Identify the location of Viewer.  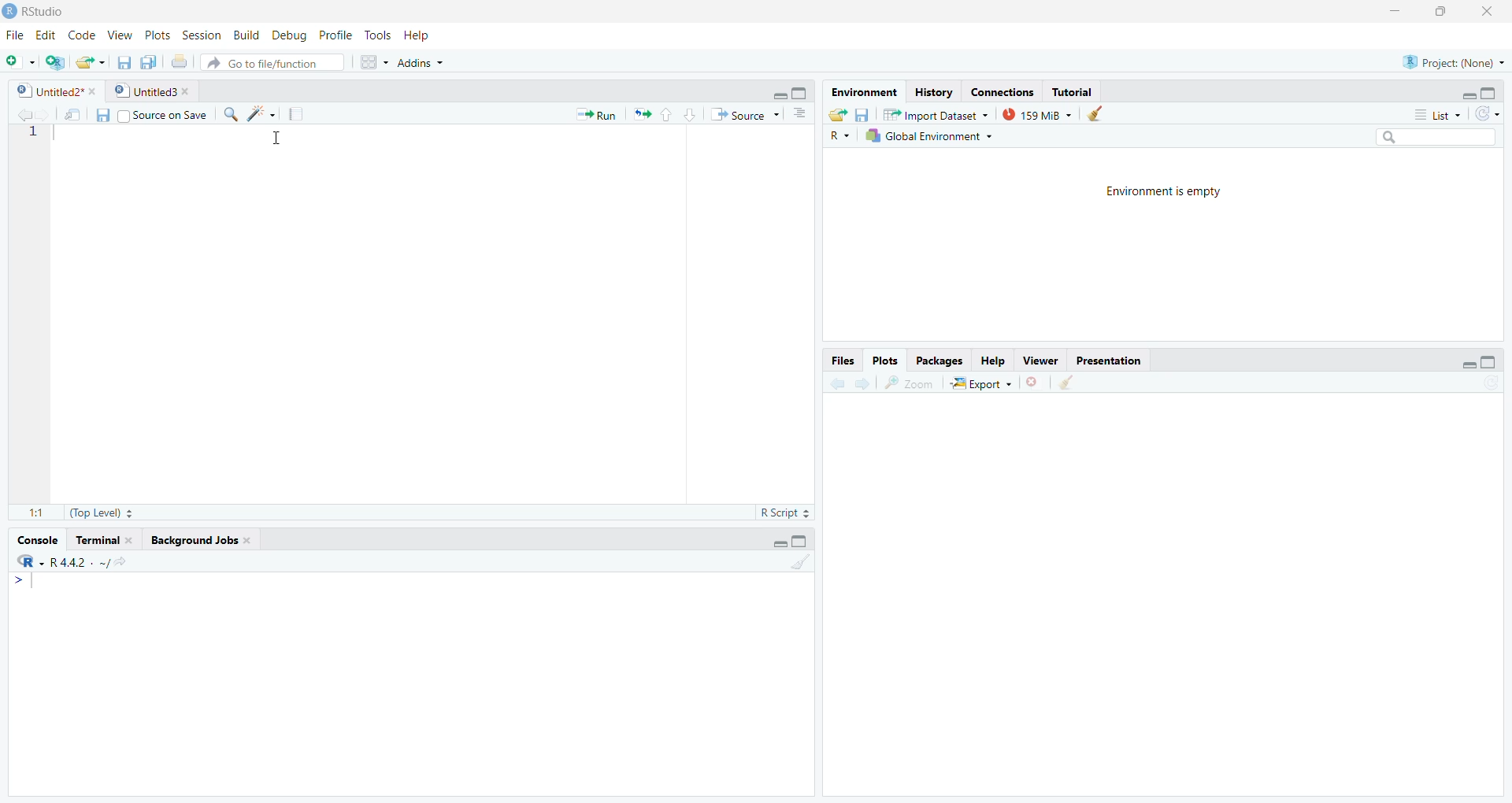
(1043, 361).